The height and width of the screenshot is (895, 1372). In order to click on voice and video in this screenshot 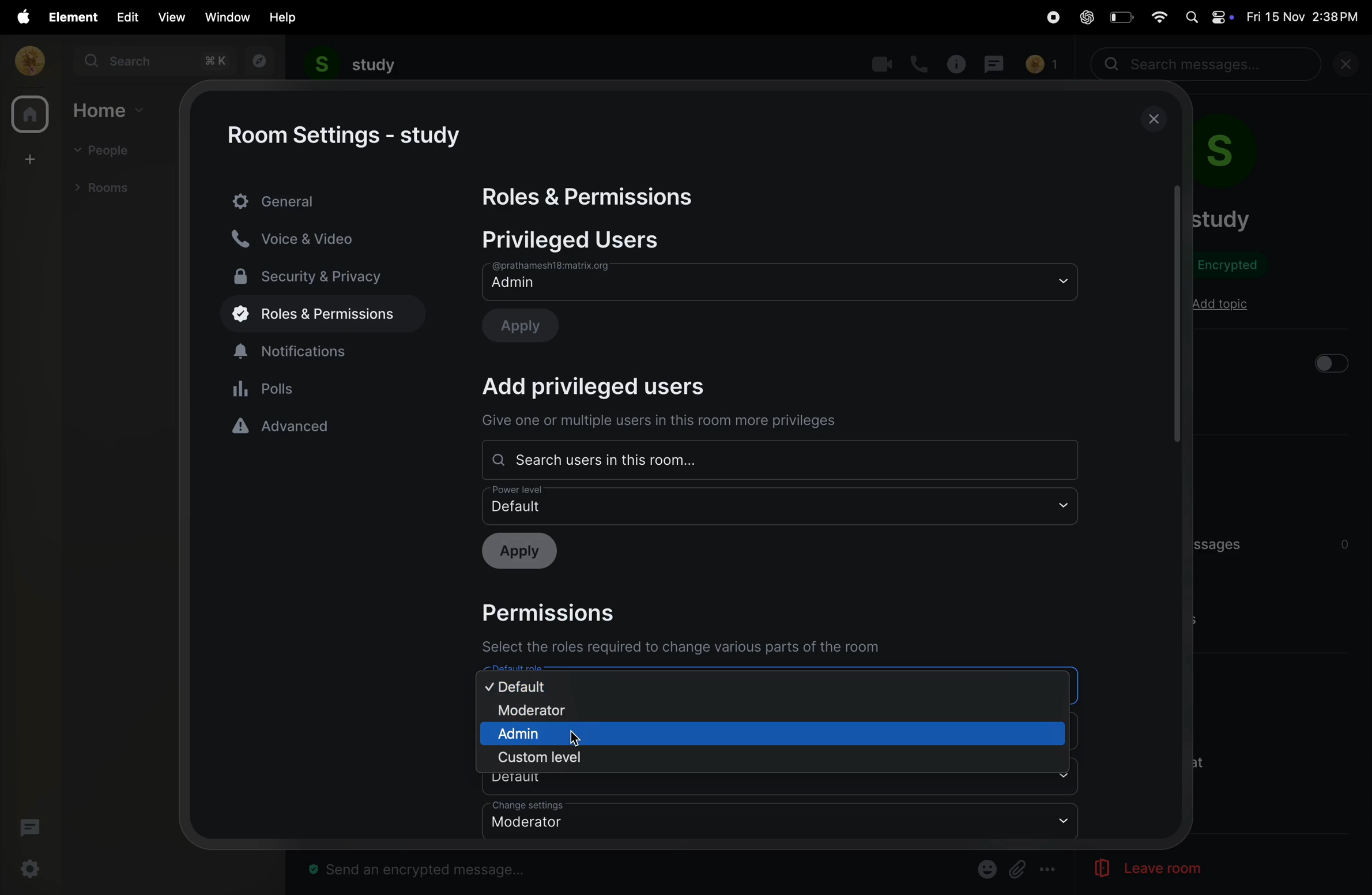, I will do `click(306, 238)`.